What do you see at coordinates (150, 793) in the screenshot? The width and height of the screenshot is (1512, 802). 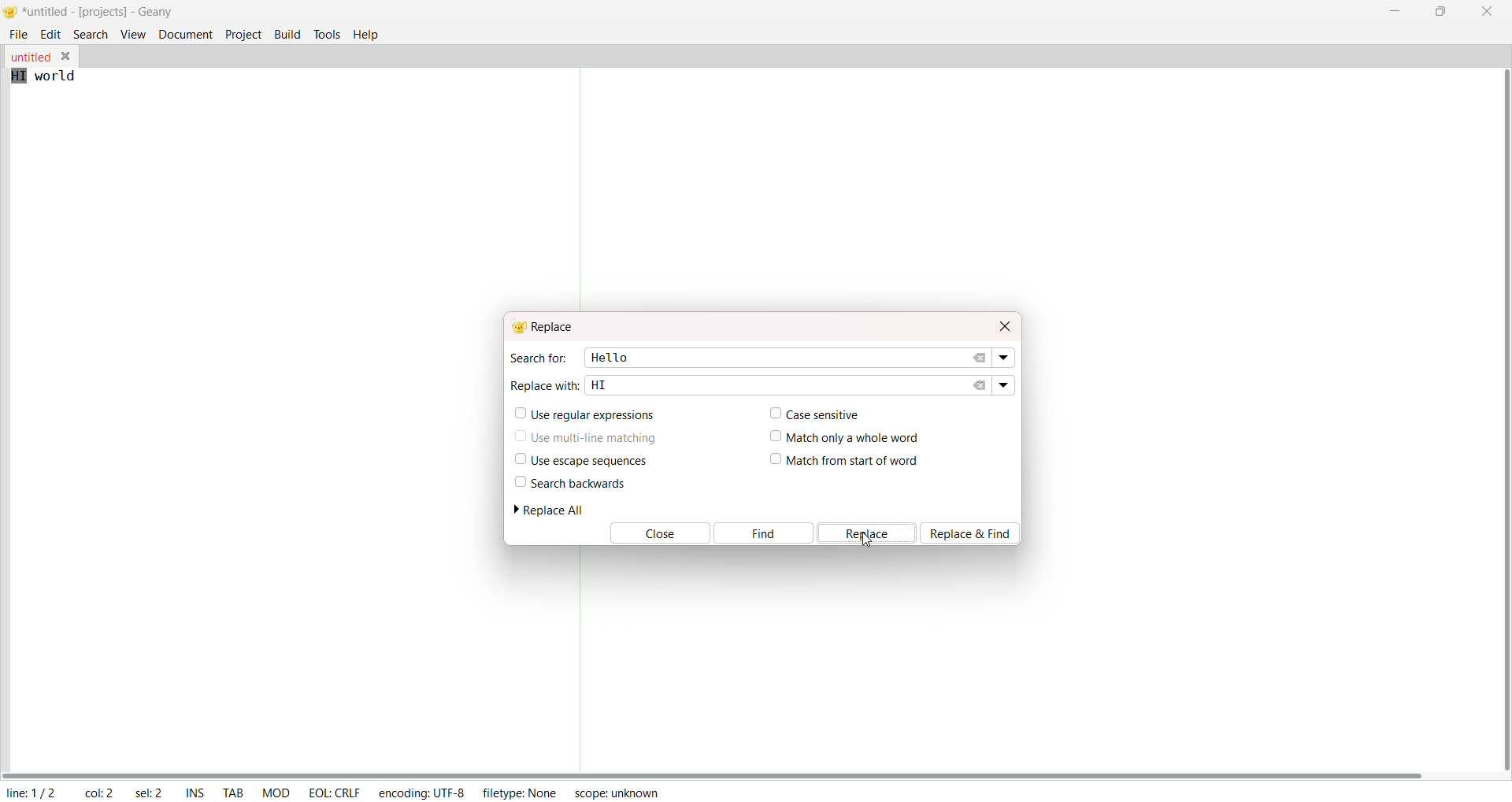 I see `sel: 0` at bounding box center [150, 793].